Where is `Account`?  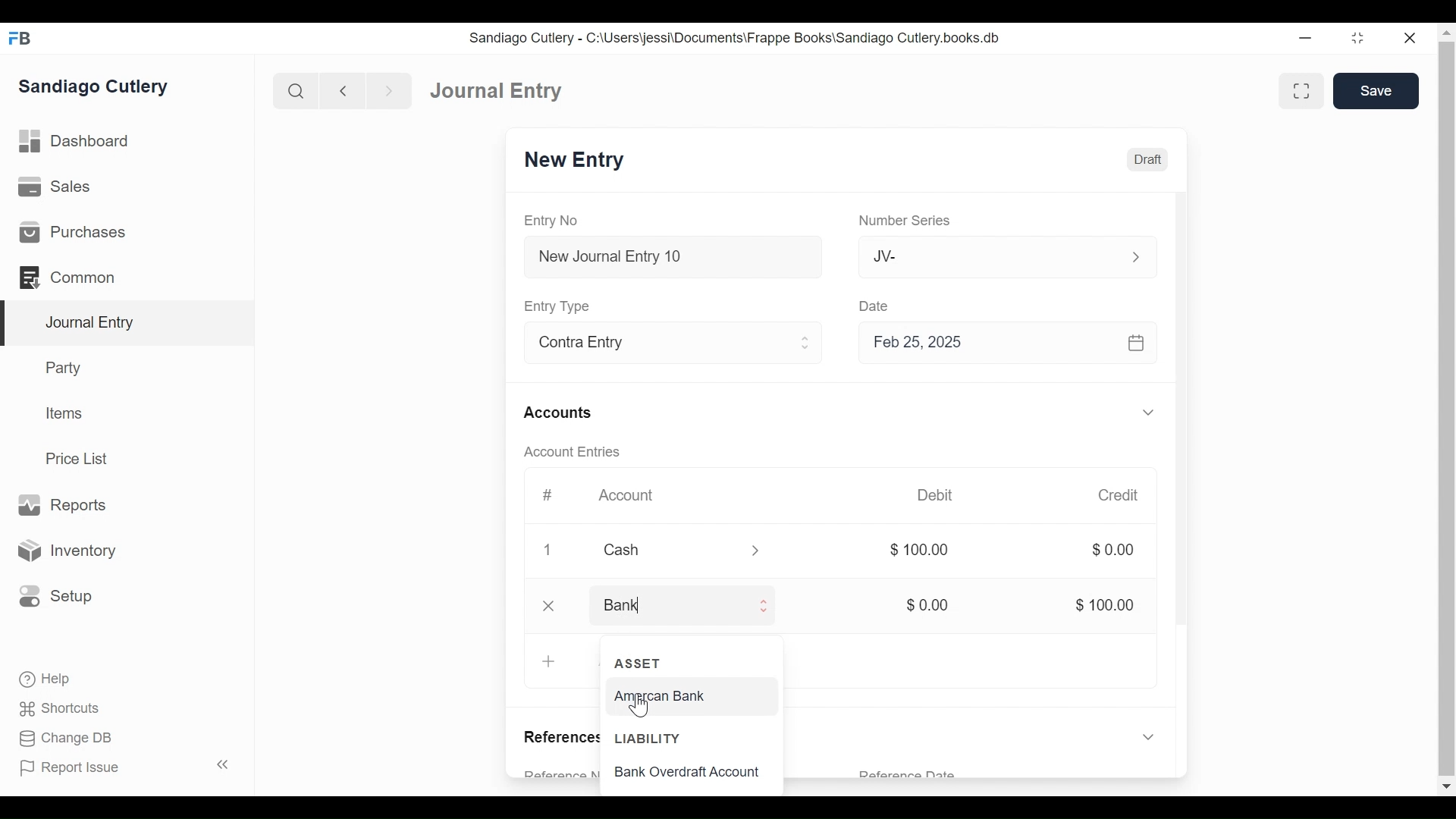 Account is located at coordinates (626, 495).